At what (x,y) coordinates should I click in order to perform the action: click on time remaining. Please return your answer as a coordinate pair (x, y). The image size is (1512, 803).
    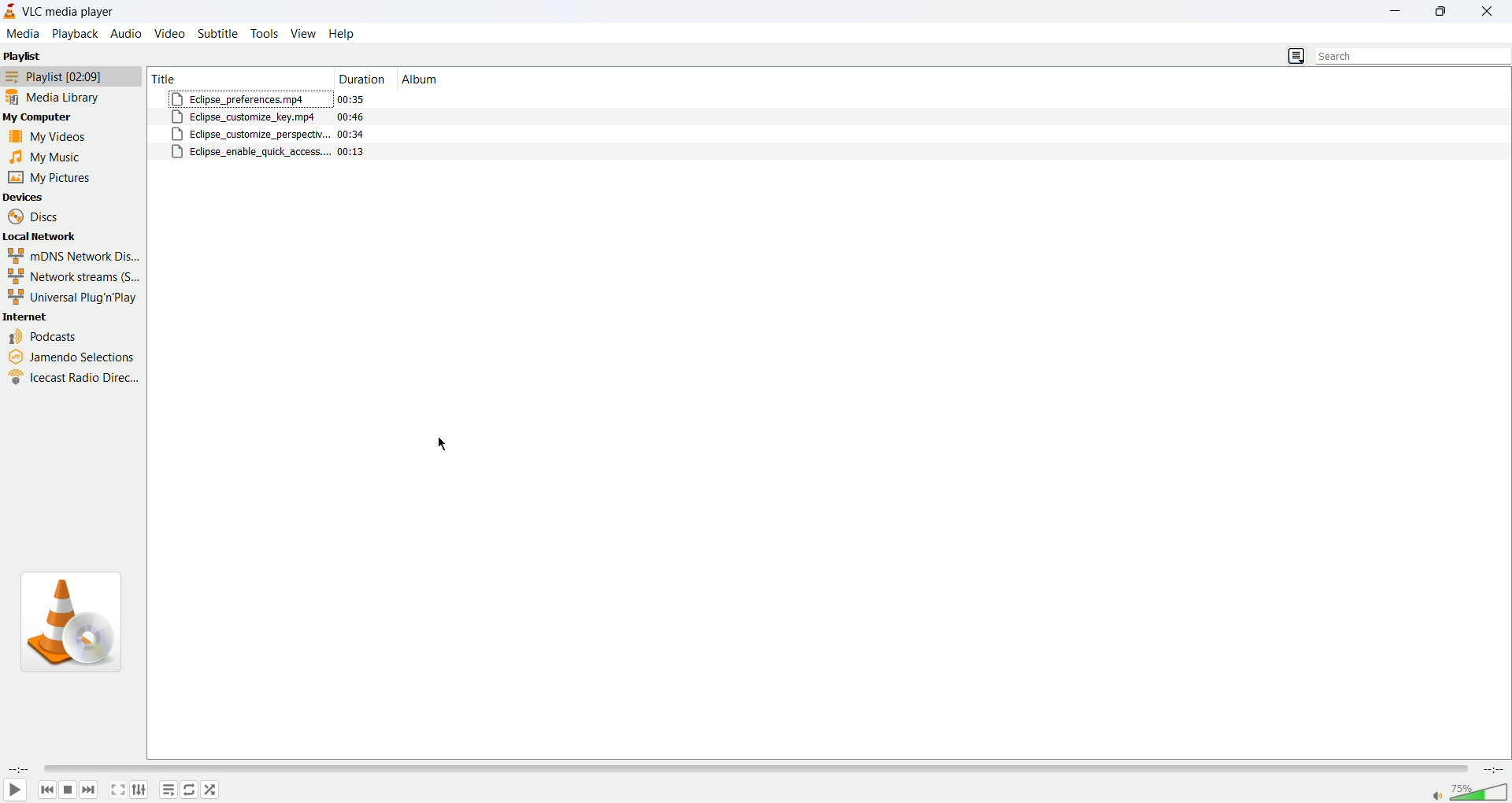
    Looking at the image, I should click on (1492, 772).